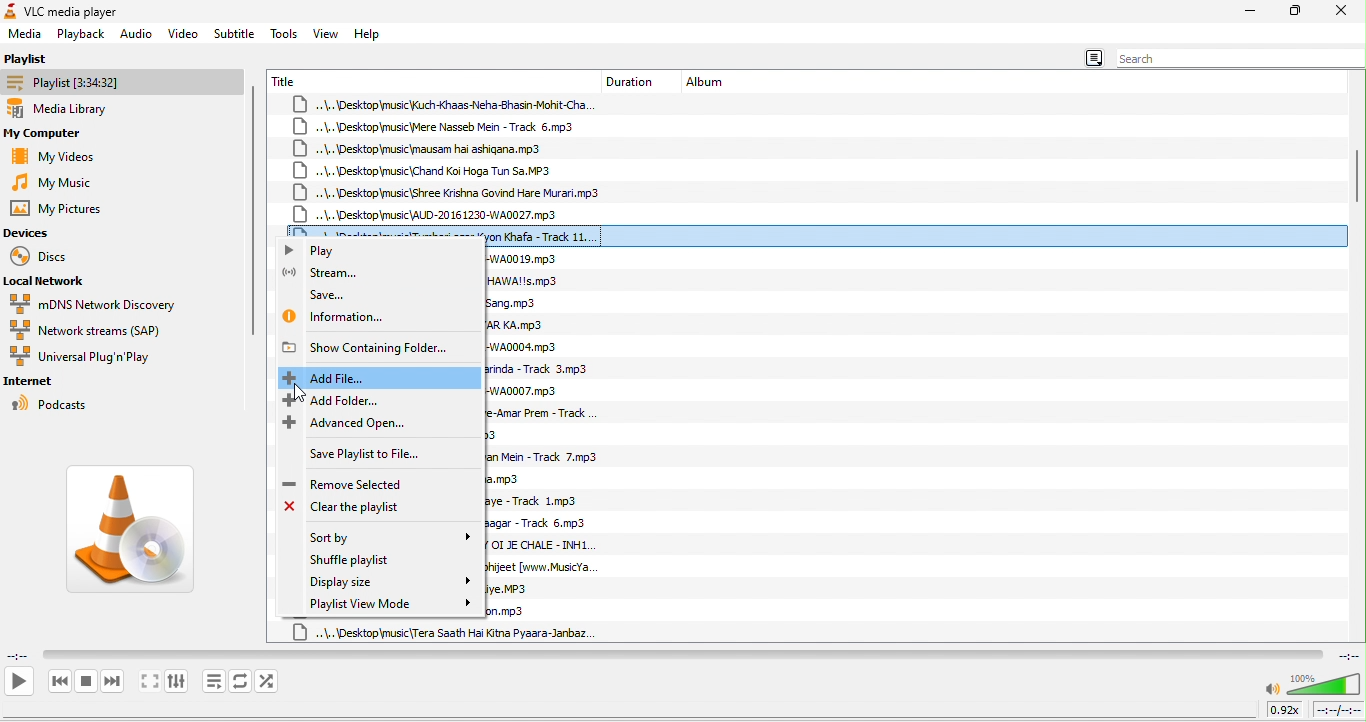  What do you see at coordinates (358, 457) in the screenshot?
I see `save playlist to file` at bounding box center [358, 457].